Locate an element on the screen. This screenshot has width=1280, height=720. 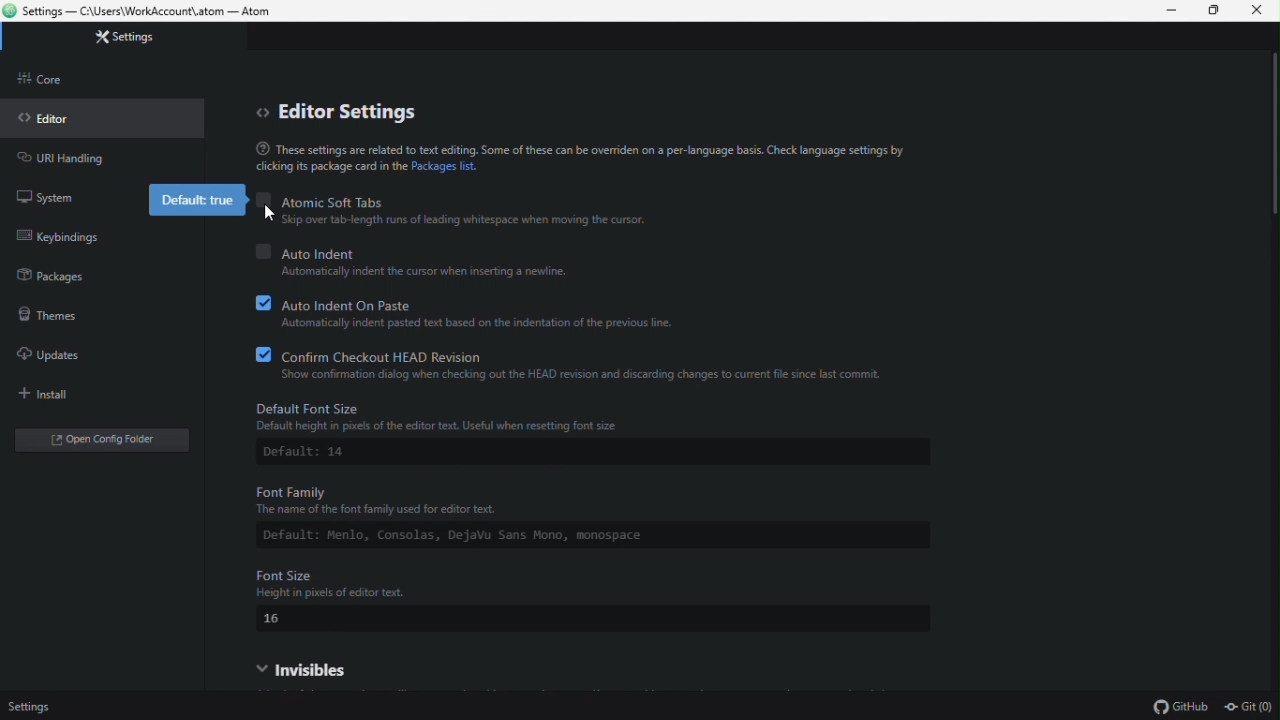
Skip over tab-length runs of leading whitespace when moving the cursor. is located at coordinates (479, 219).